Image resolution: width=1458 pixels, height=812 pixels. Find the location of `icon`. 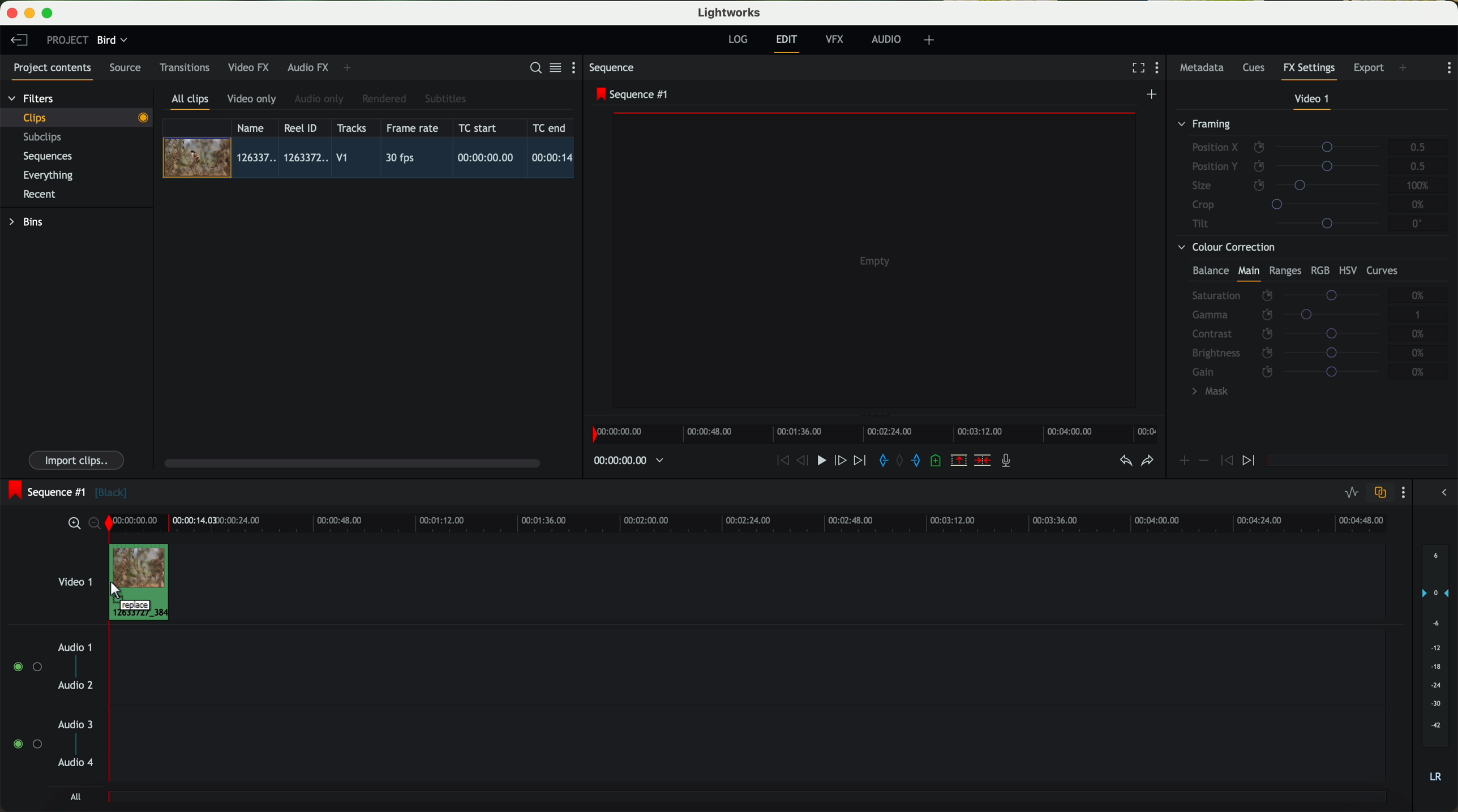

icon is located at coordinates (1250, 461).